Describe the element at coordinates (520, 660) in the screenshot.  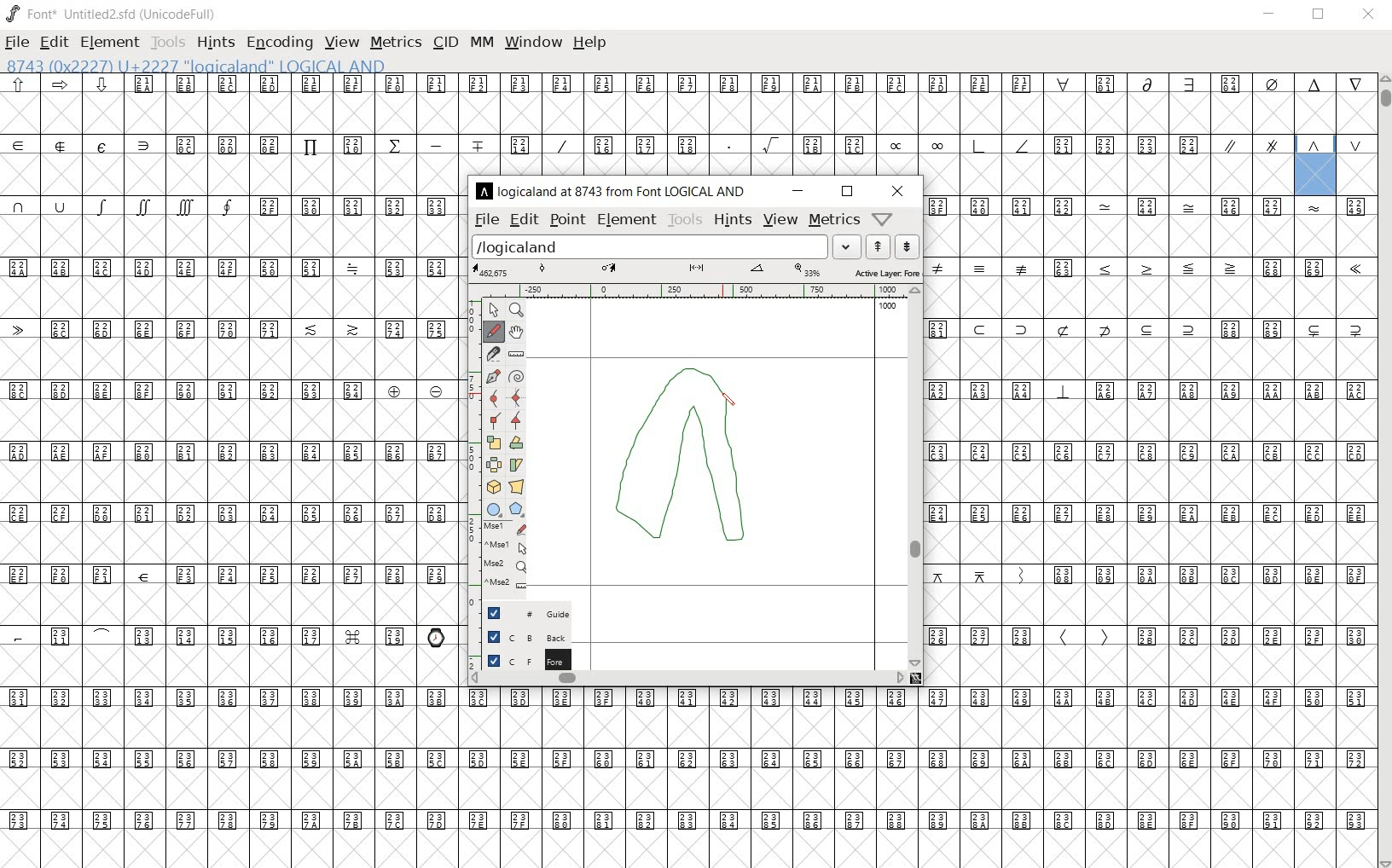
I see `foreground` at that location.